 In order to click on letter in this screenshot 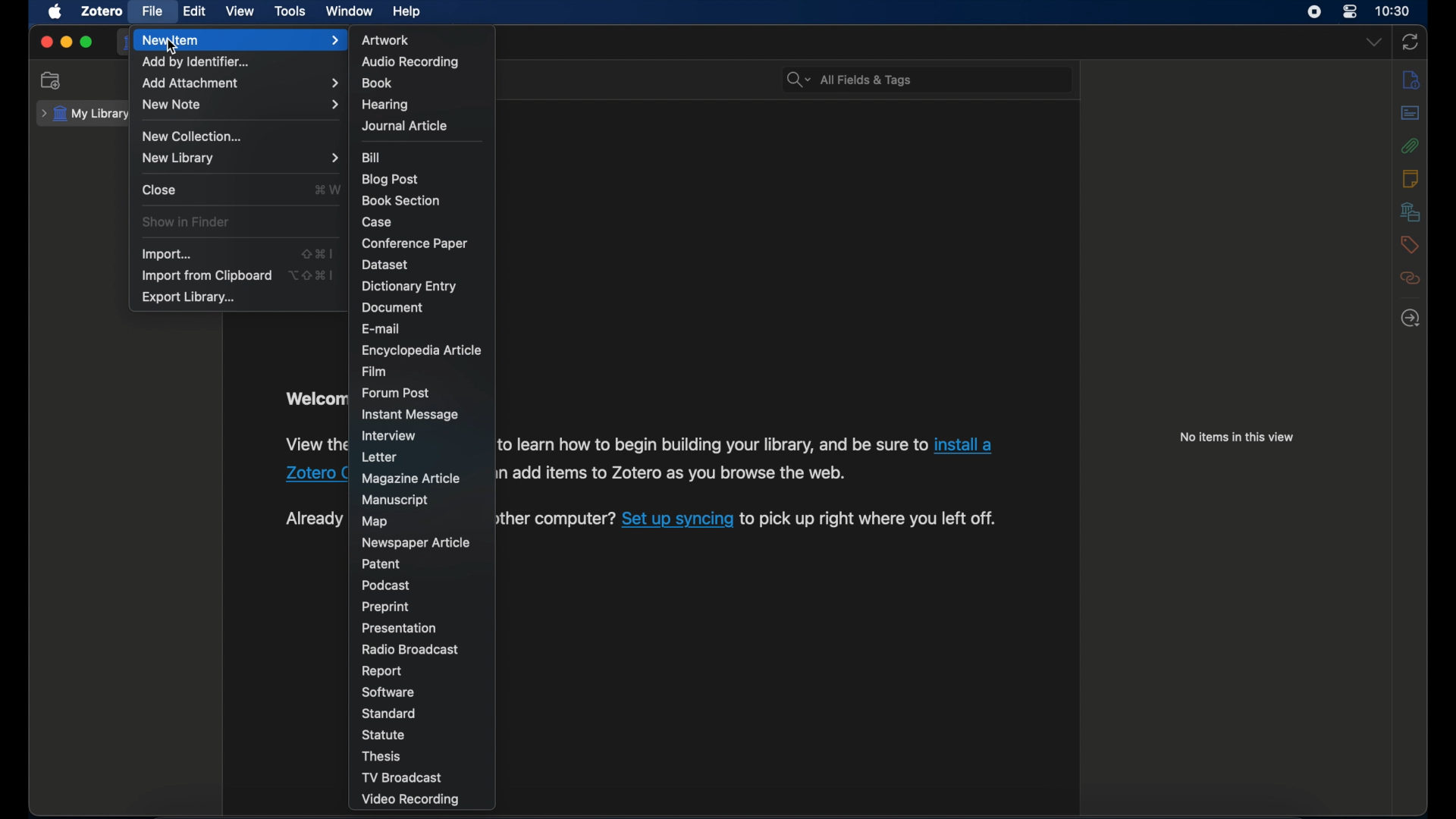, I will do `click(381, 458)`.